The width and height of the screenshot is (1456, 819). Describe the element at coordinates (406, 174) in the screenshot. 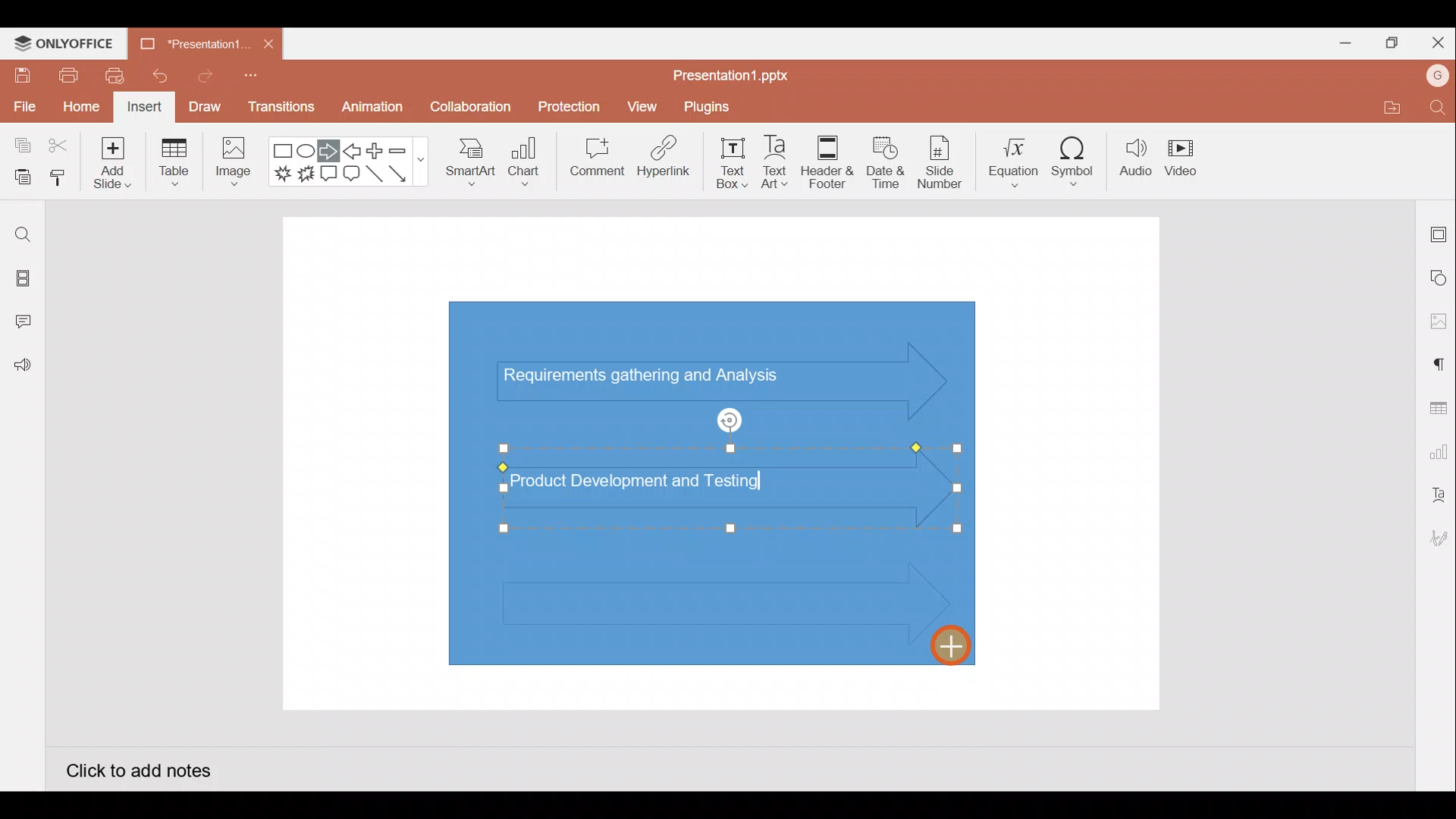

I see `Arrow` at that location.